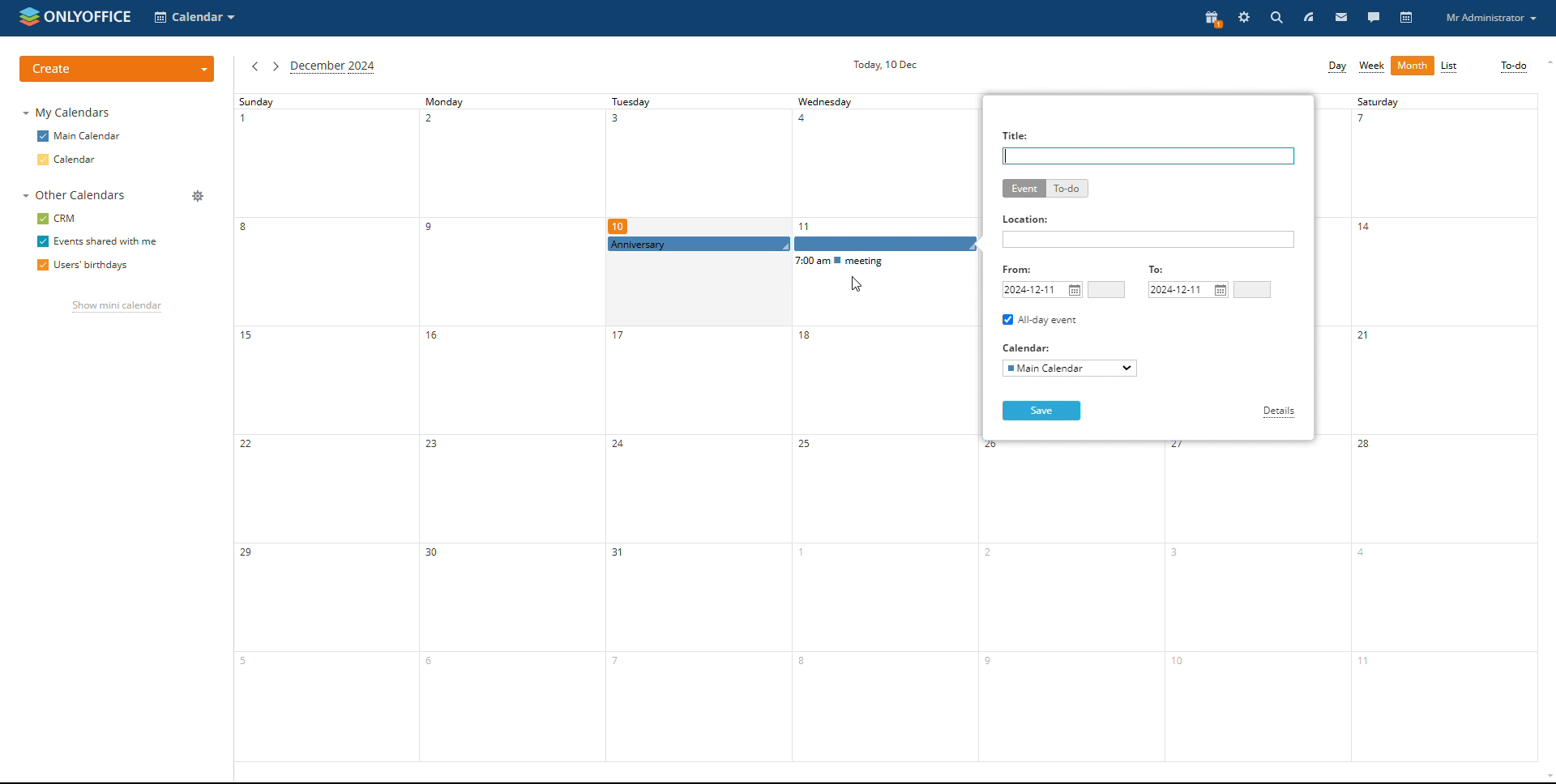  What do you see at coordinates (1373, 19) in the screenshot?
I see `talk` at bounding box center [1373, 19].